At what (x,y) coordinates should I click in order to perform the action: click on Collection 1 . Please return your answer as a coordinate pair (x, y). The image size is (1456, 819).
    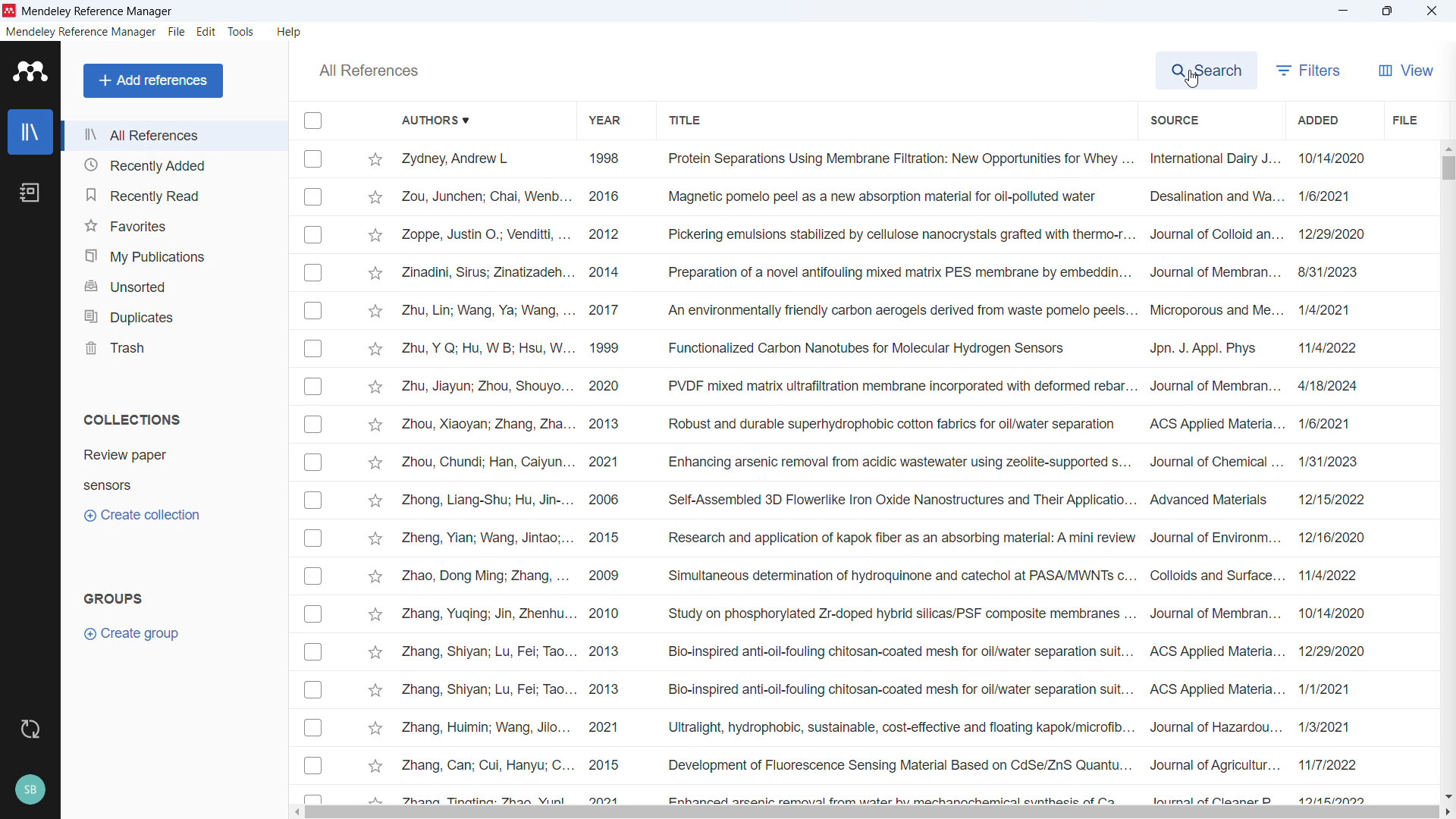
    Looking at the image, I should click on (125, 454).